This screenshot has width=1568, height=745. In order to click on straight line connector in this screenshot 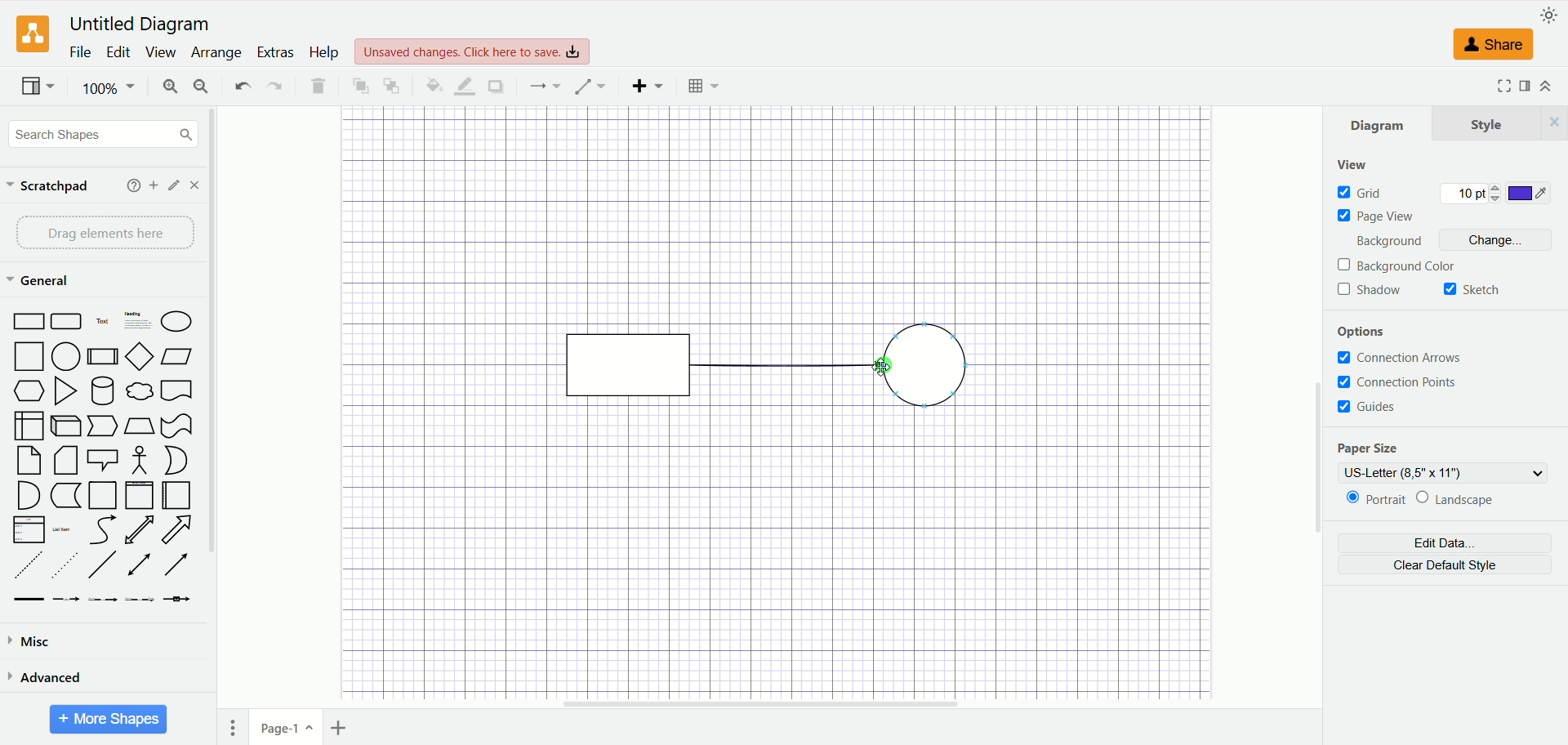, I will do `click(778, 367)`.